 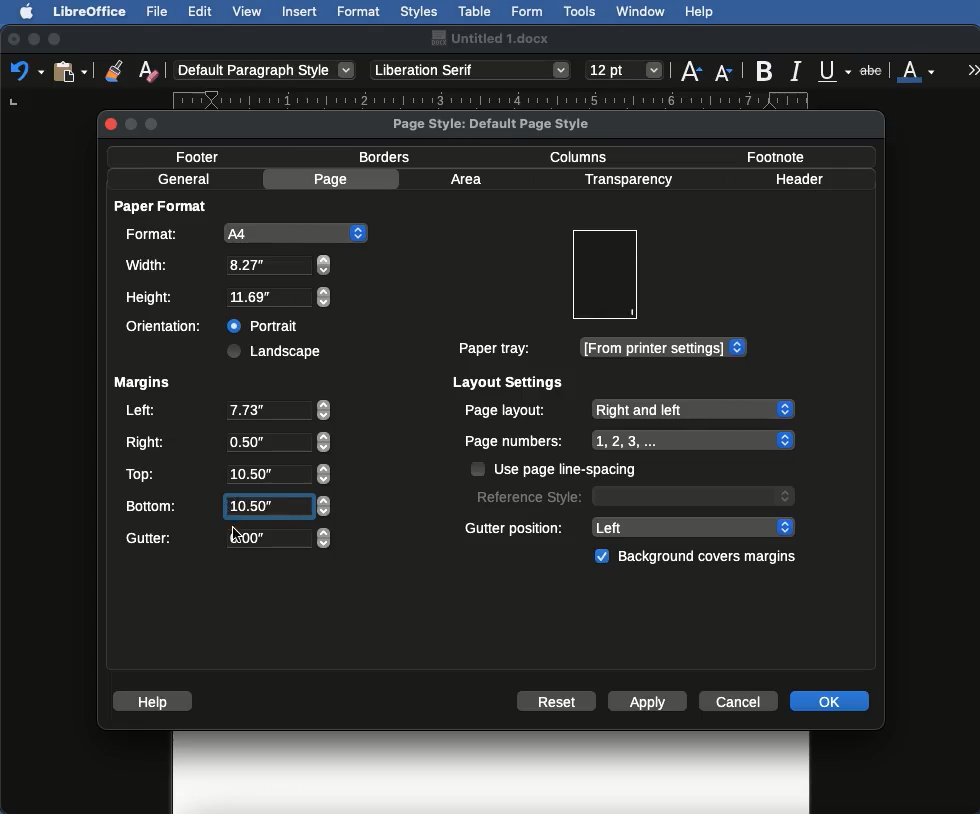 What do you see at coordinates (766, 71) in the screenshot?
I see `Bold` at bounding box center [766, 71].